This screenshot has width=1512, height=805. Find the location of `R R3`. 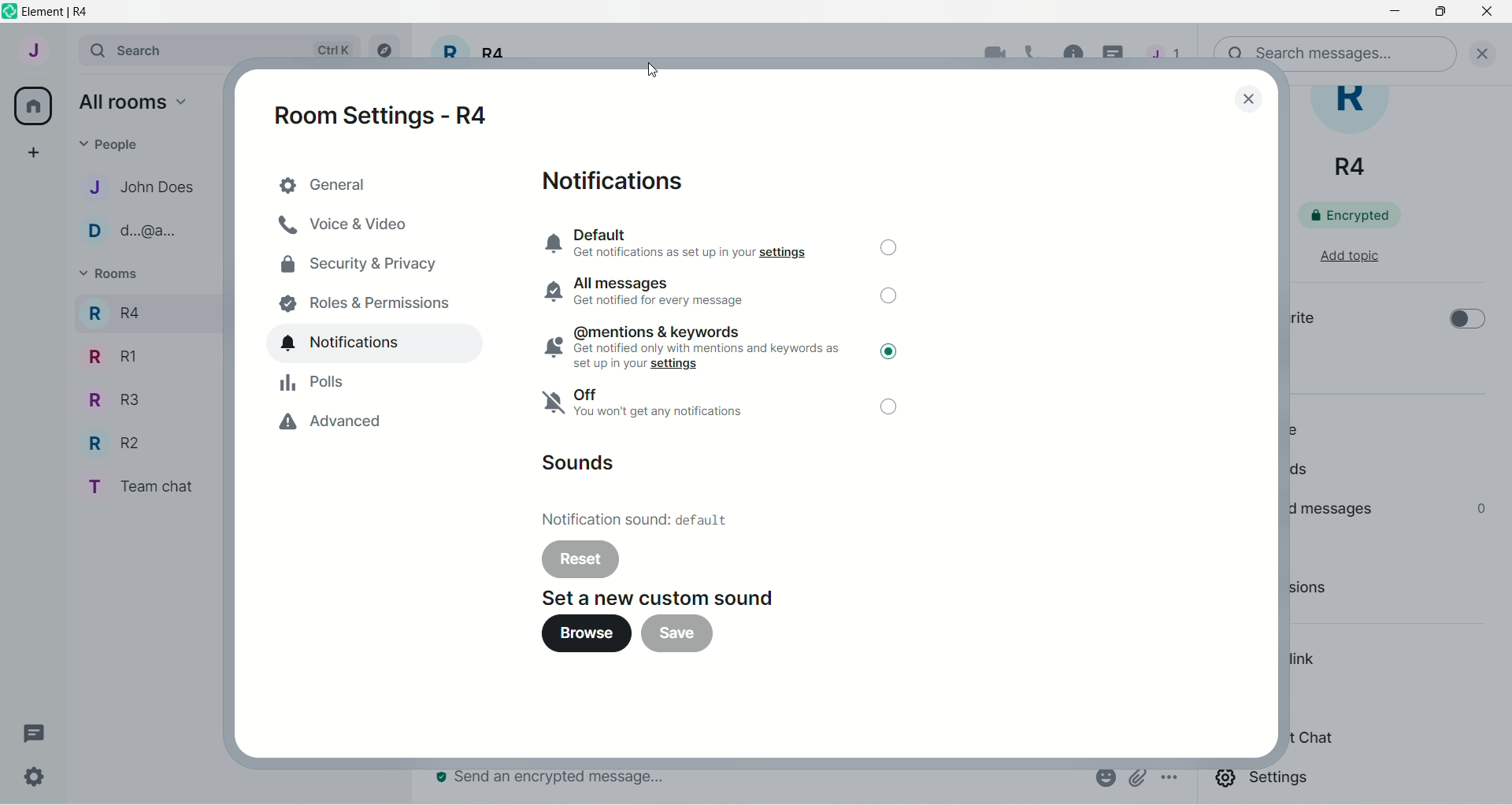

R R3 is located at coordinates (109, 398).